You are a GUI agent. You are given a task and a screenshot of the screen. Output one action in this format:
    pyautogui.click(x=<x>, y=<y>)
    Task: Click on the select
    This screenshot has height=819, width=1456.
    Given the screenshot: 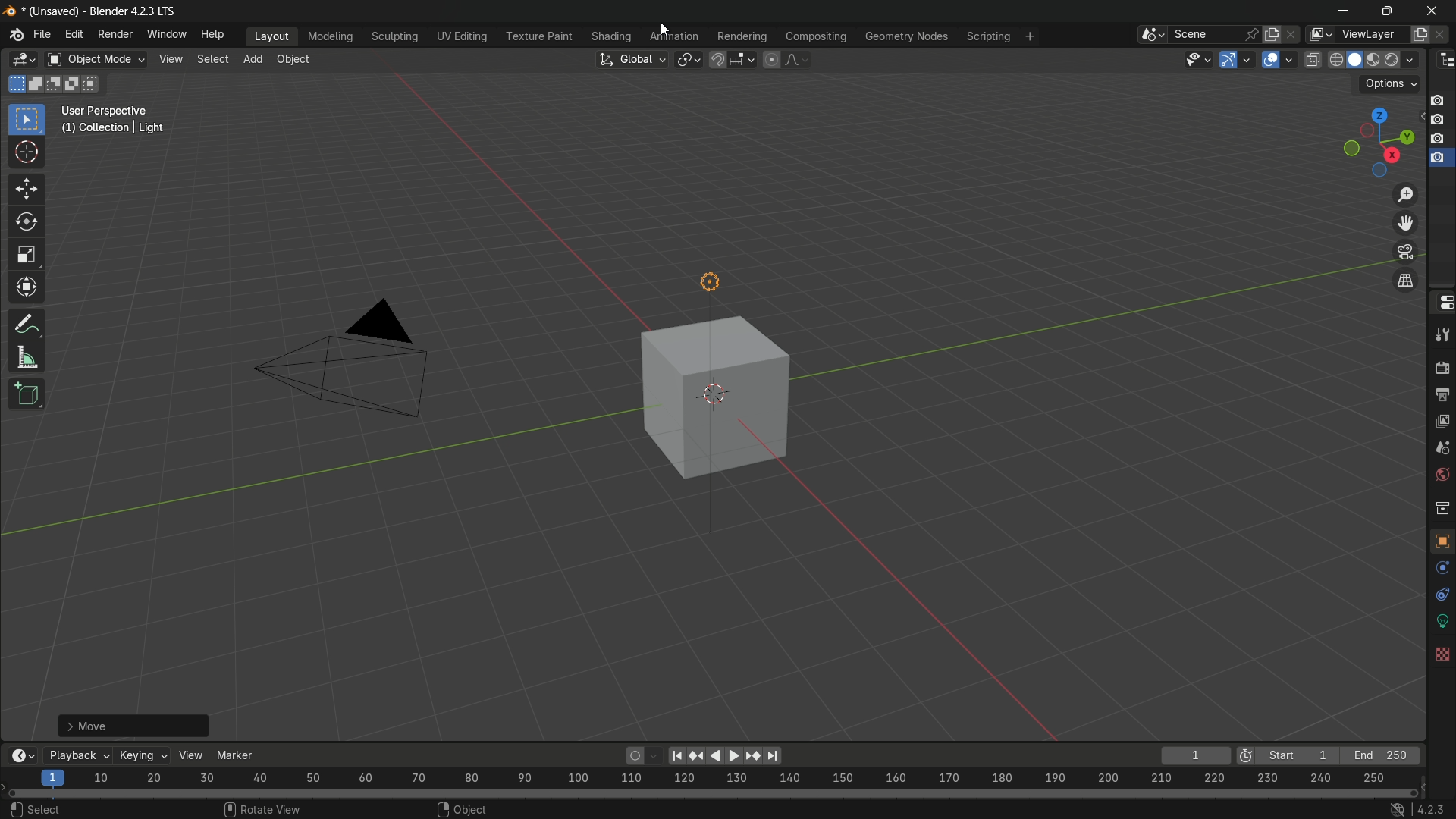 What is the action you would take?
    pyautogui.click(x=211, y=61)
    